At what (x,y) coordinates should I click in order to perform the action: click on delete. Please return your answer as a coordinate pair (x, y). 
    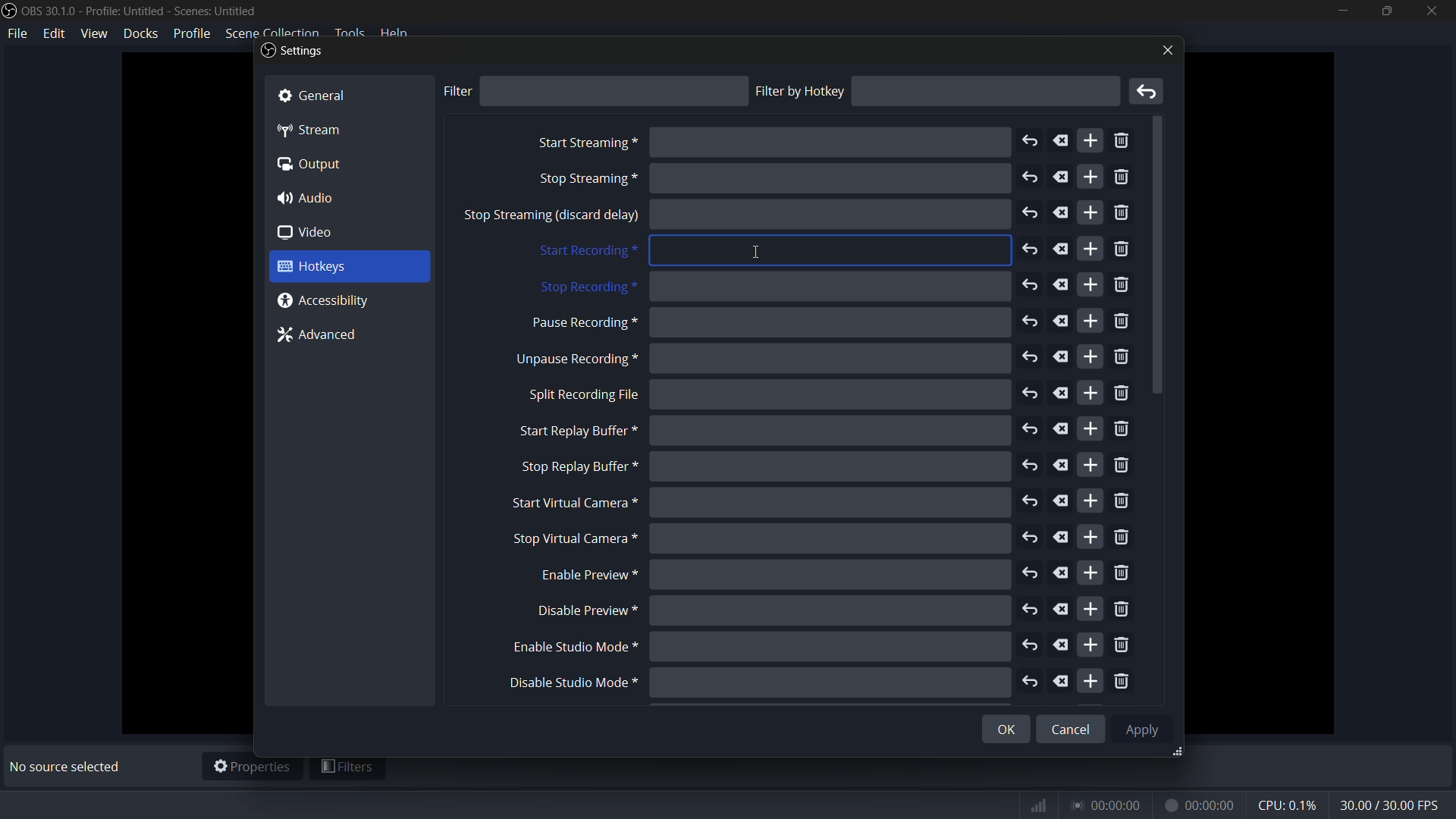
    Looking at the image, I should click on (1062, 574).